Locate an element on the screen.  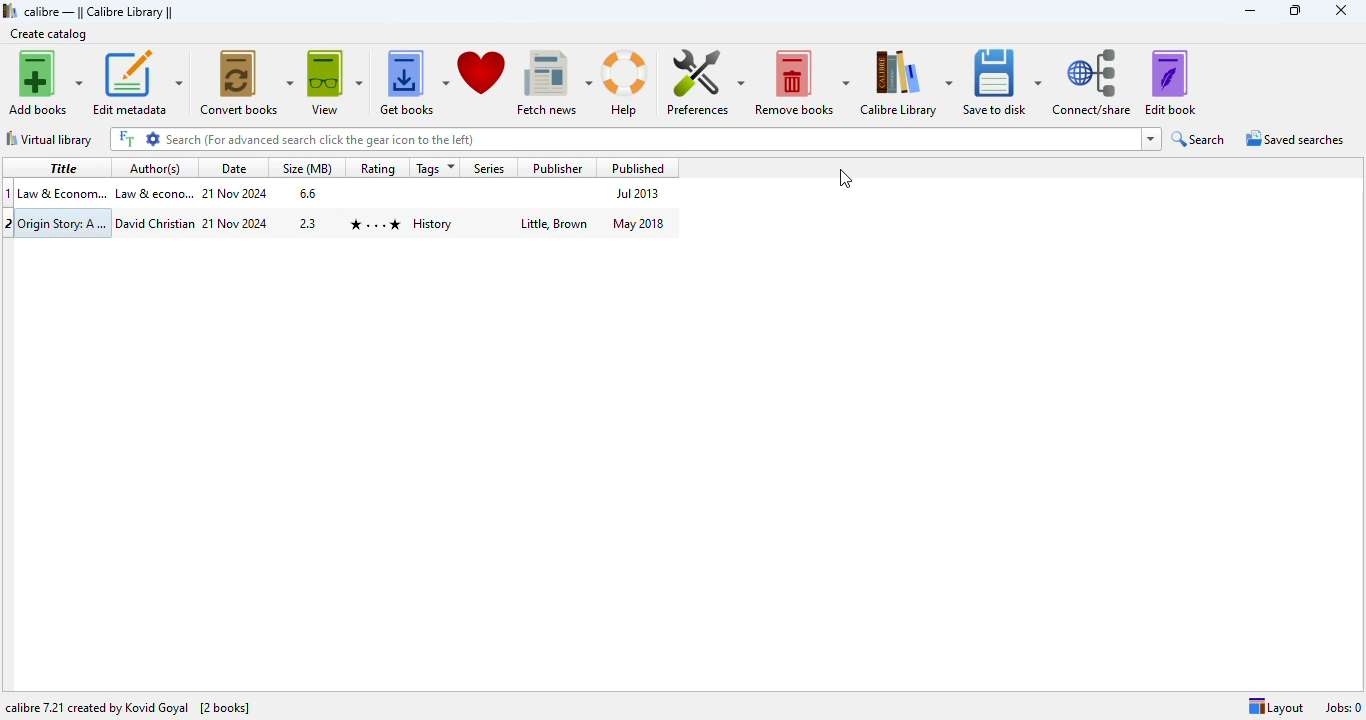
cursor is located at coordinates (845, 179).